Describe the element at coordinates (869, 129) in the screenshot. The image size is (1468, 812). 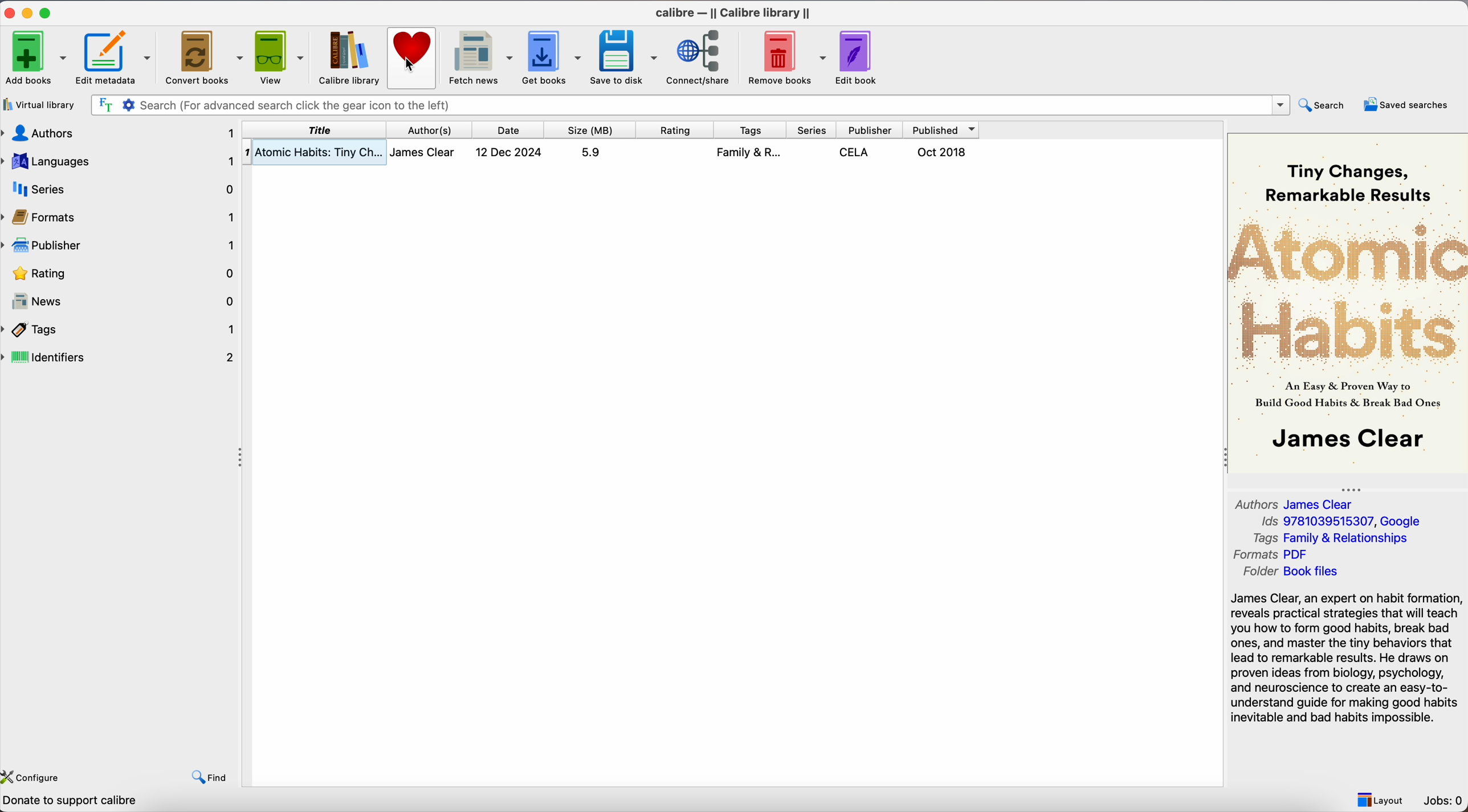
I see `publisher` at that location.